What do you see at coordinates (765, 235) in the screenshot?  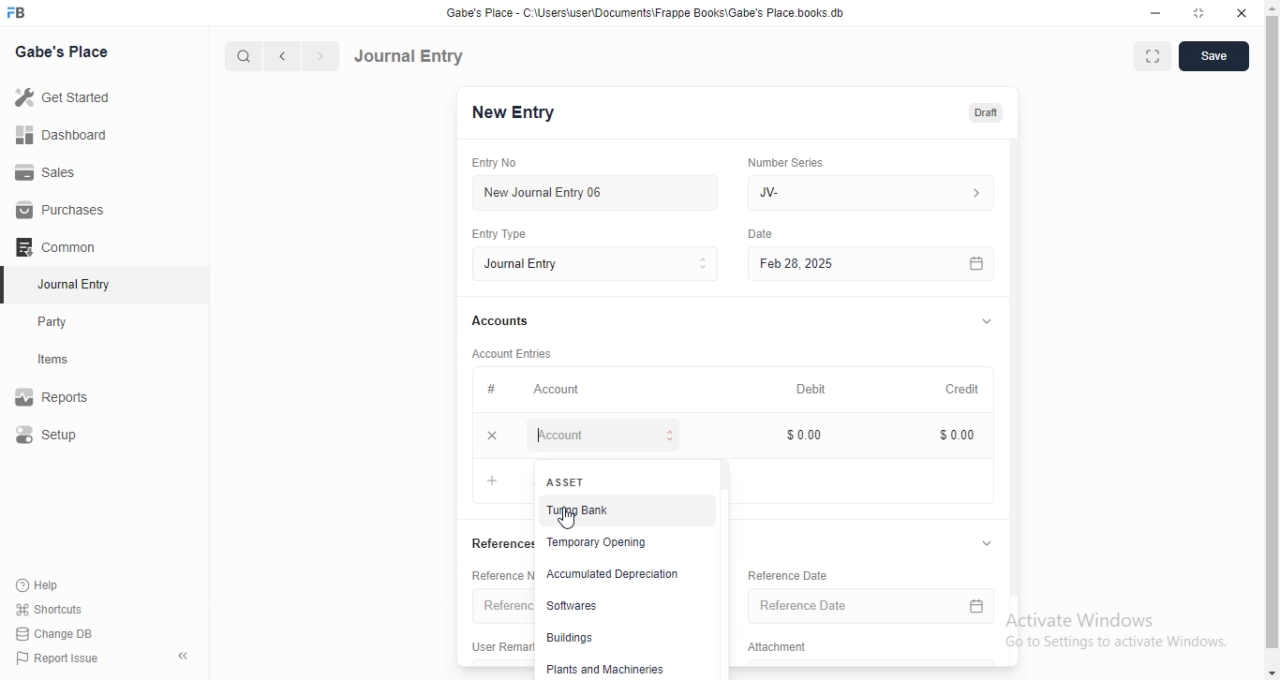 I see `` at bounding box center [765, 235].